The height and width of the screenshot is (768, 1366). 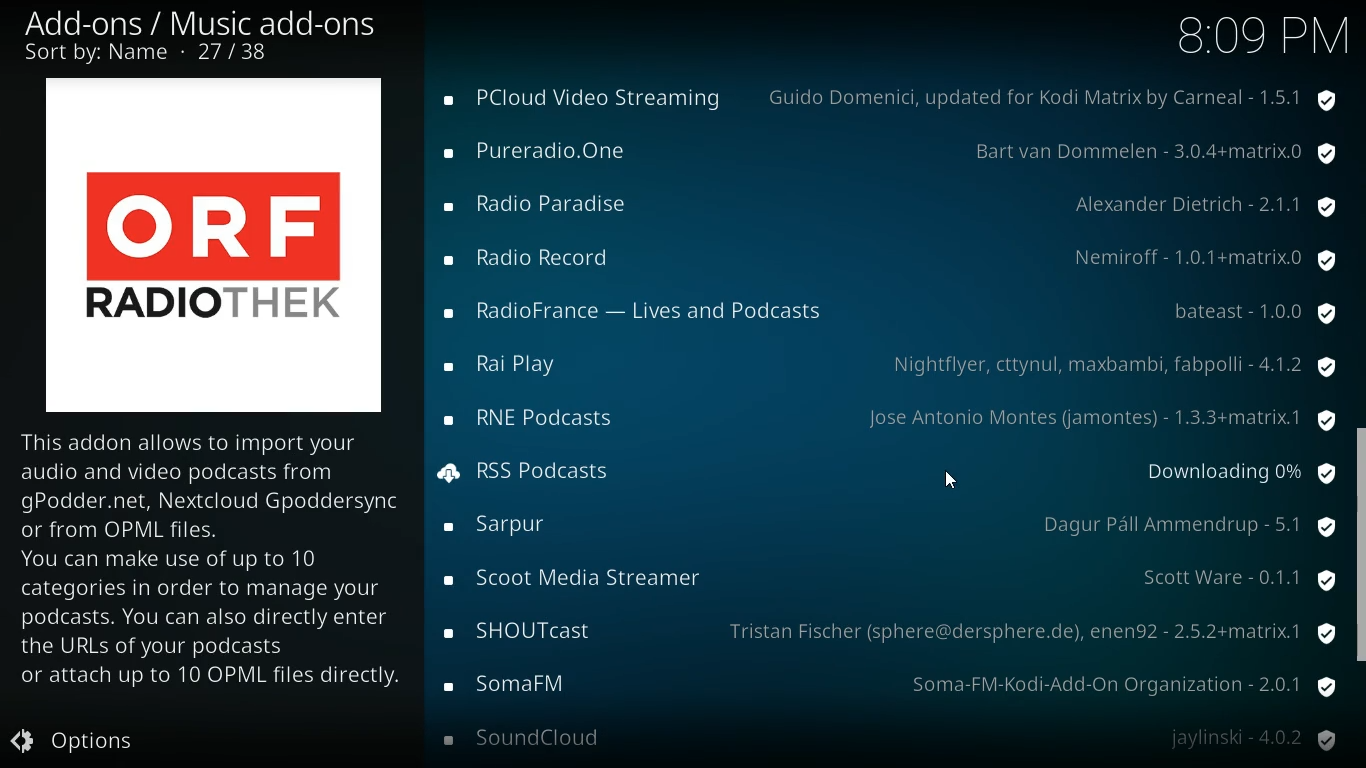 What do you see at coordinates (590, 97) in the screenshot?
I see `s PCloud Video Streaming` at bounding box center [590, 97].